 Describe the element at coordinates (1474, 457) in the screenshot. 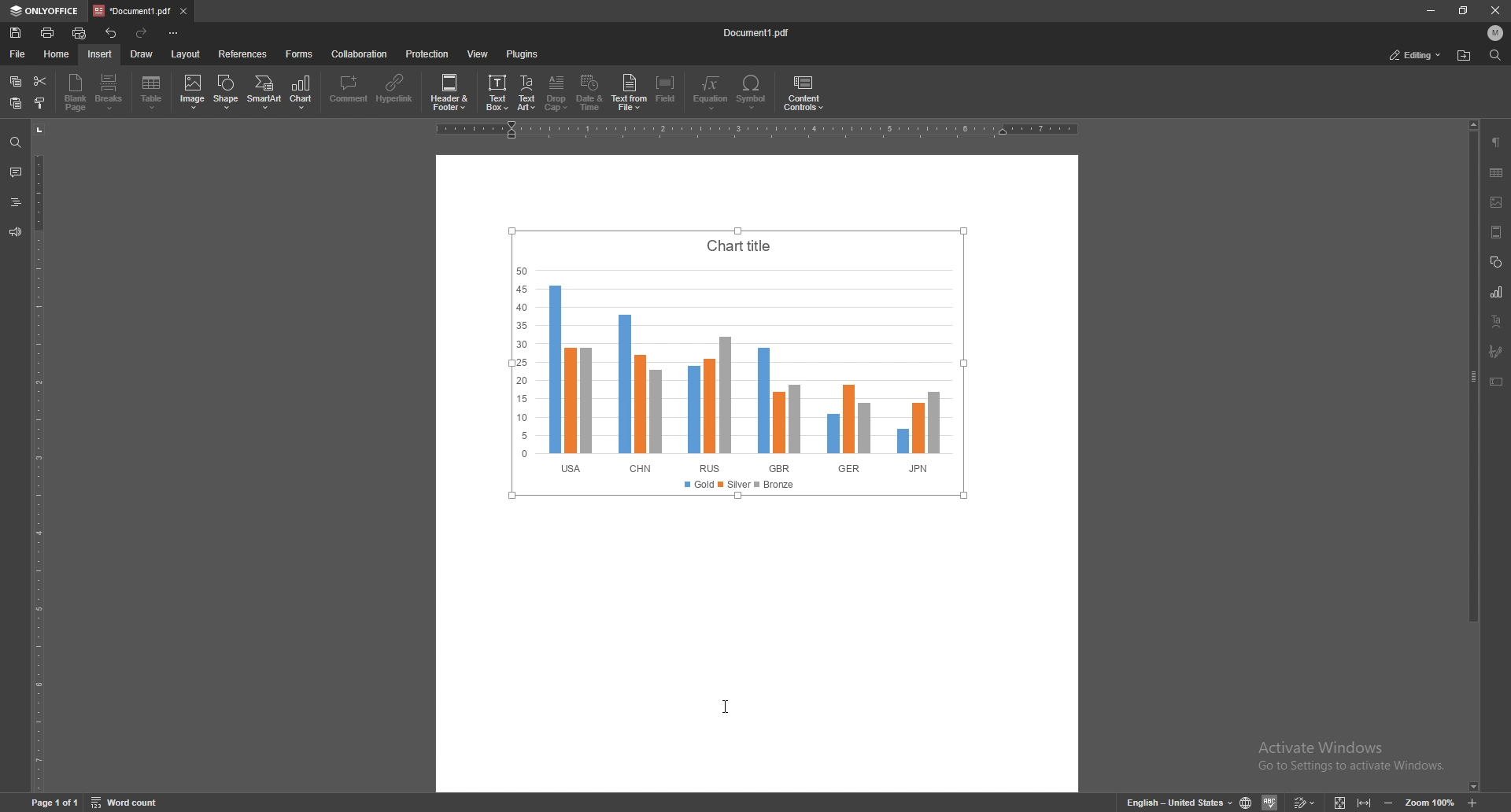

I see `scroll bar` at that location.